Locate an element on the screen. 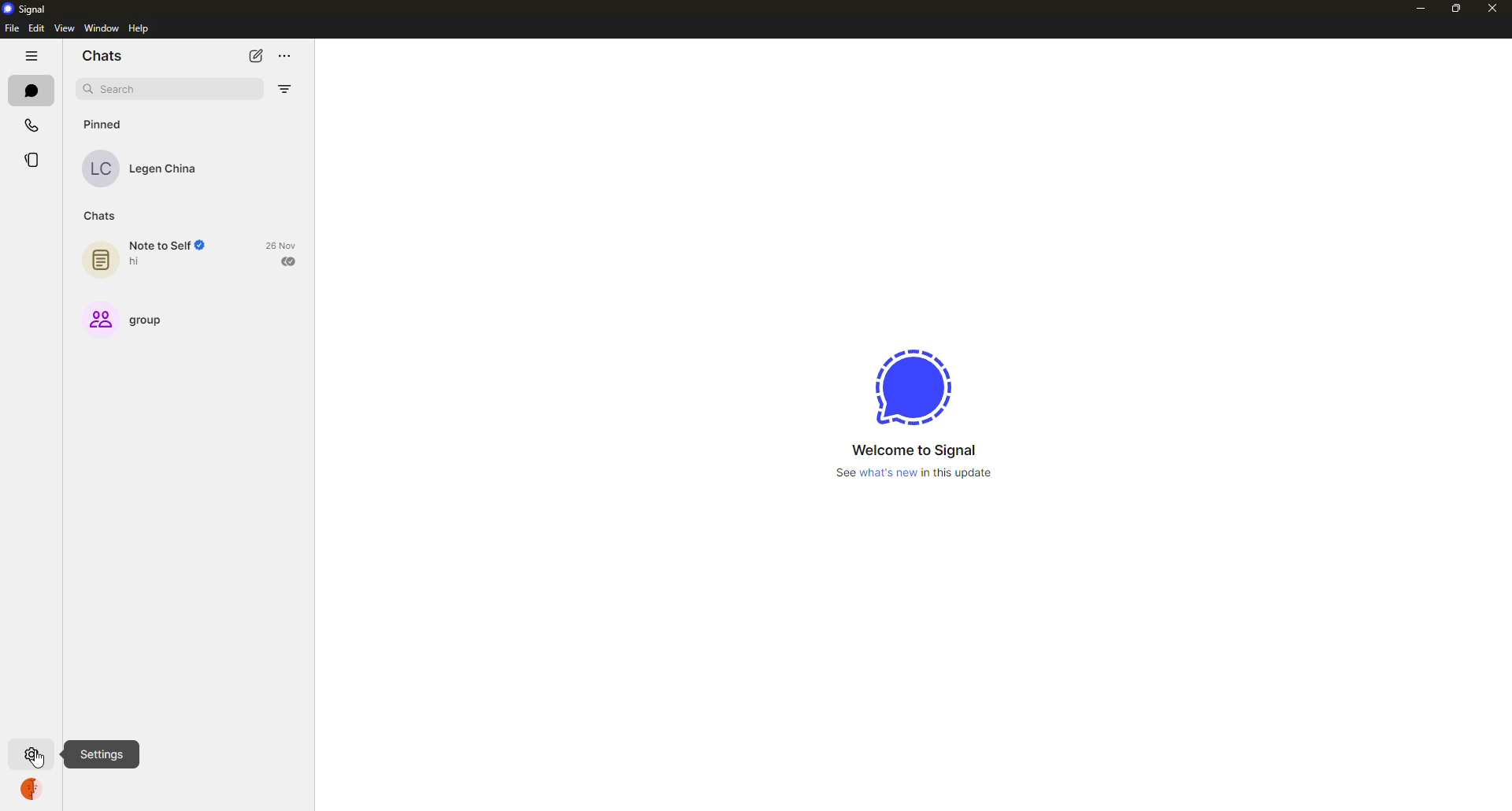  filter is located at coordinates (284, 91).